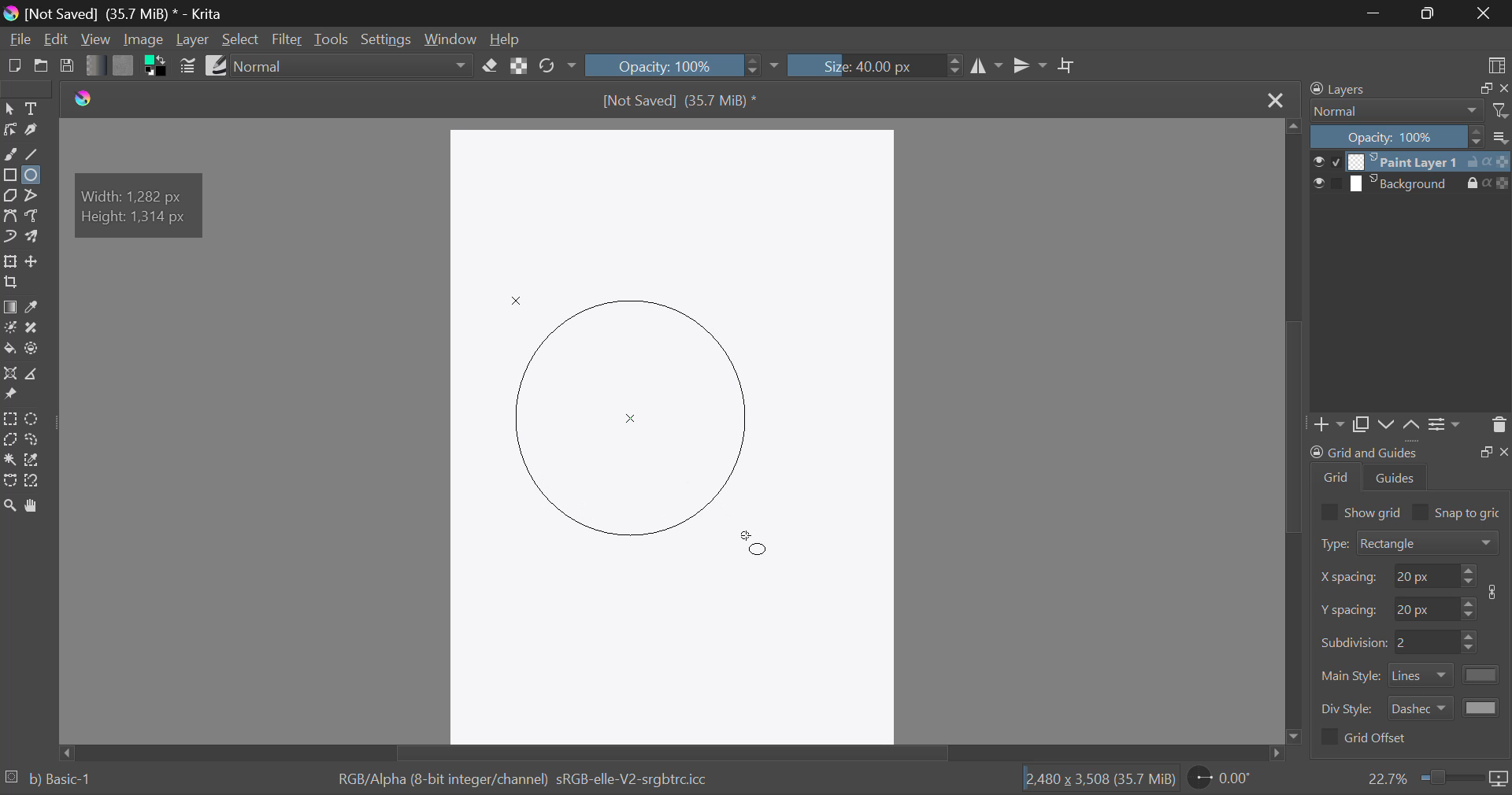  What do you see at coordinates (96, 41) in the screenshot?
I see `View` at bounding box center [96, 41].